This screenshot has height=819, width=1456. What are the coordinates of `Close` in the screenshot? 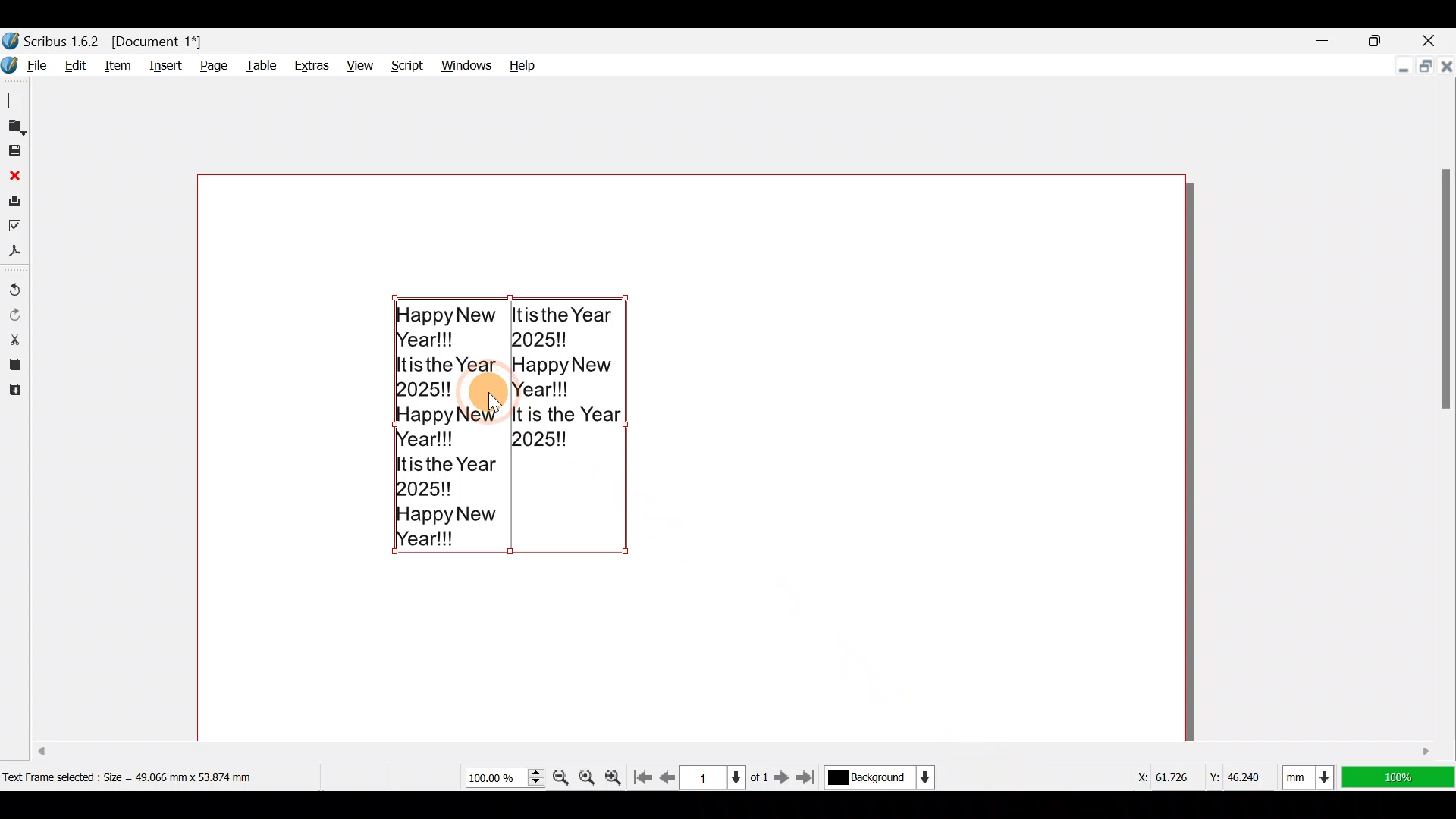 It's located at (14, 175).